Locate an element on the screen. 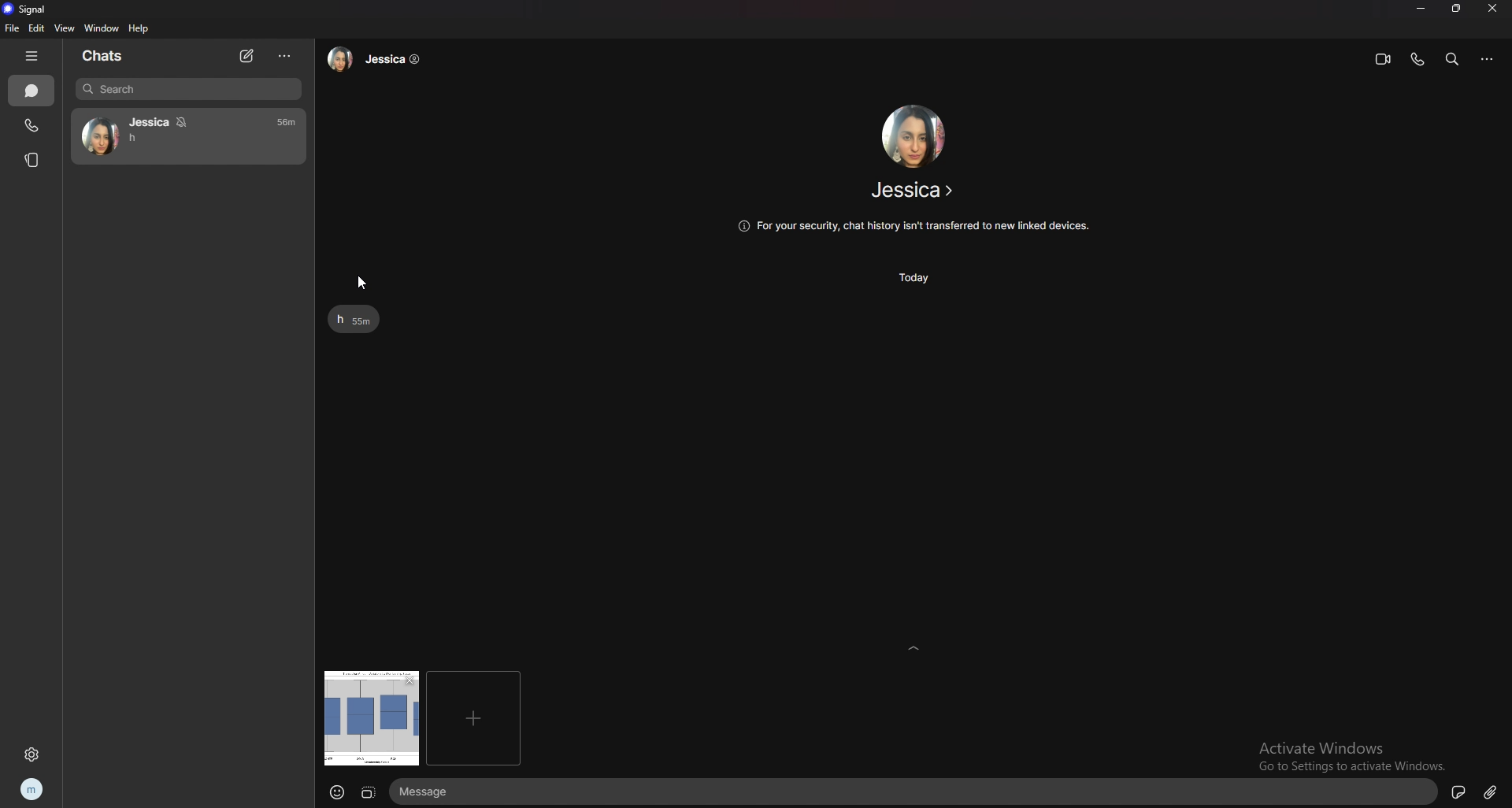 The width and height of the screenshot is (1512, 808). add another attachment is located at coordinates (473, 719).